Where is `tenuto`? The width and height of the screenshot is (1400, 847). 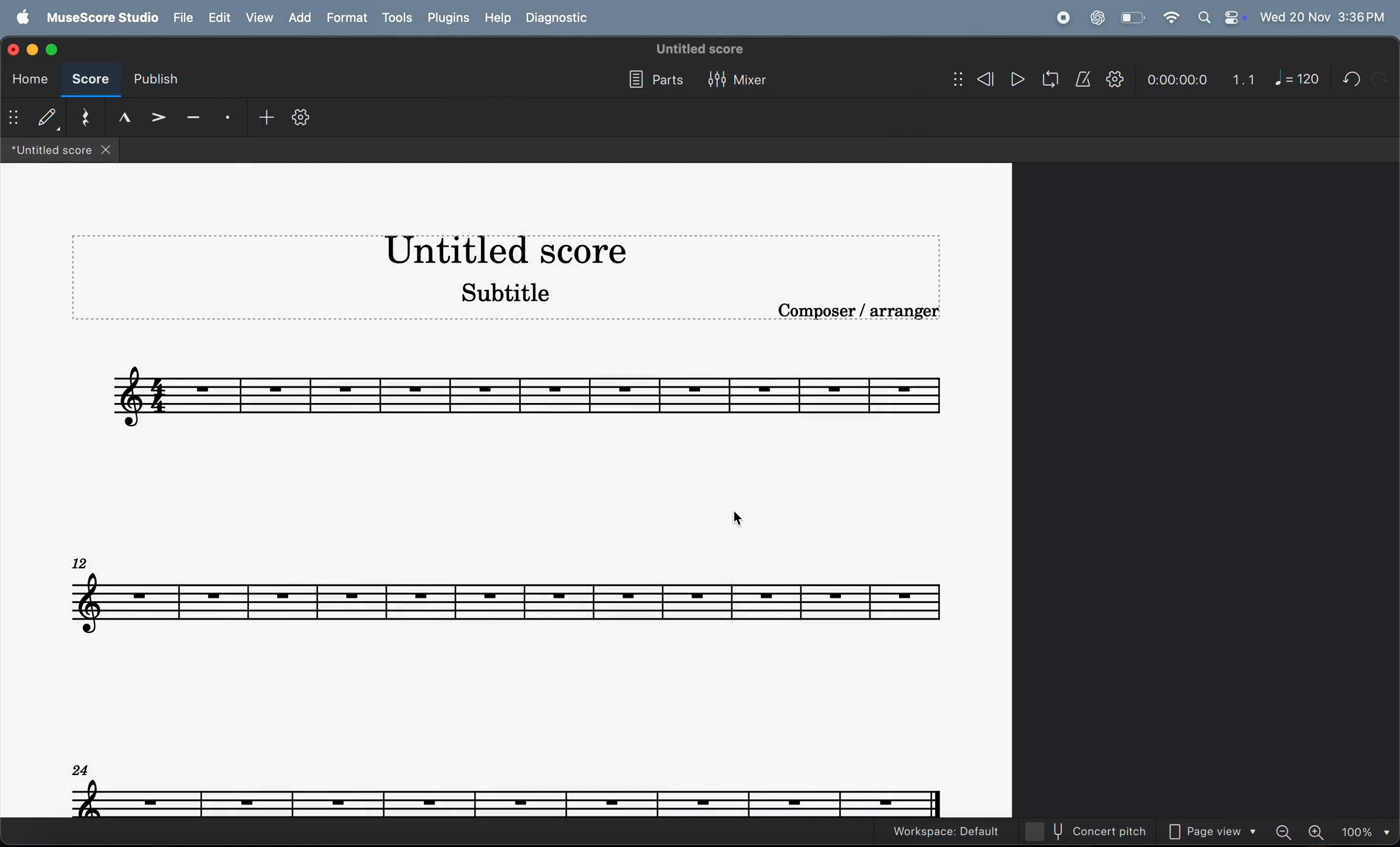
tenuto is located at coordinates (124, 117).